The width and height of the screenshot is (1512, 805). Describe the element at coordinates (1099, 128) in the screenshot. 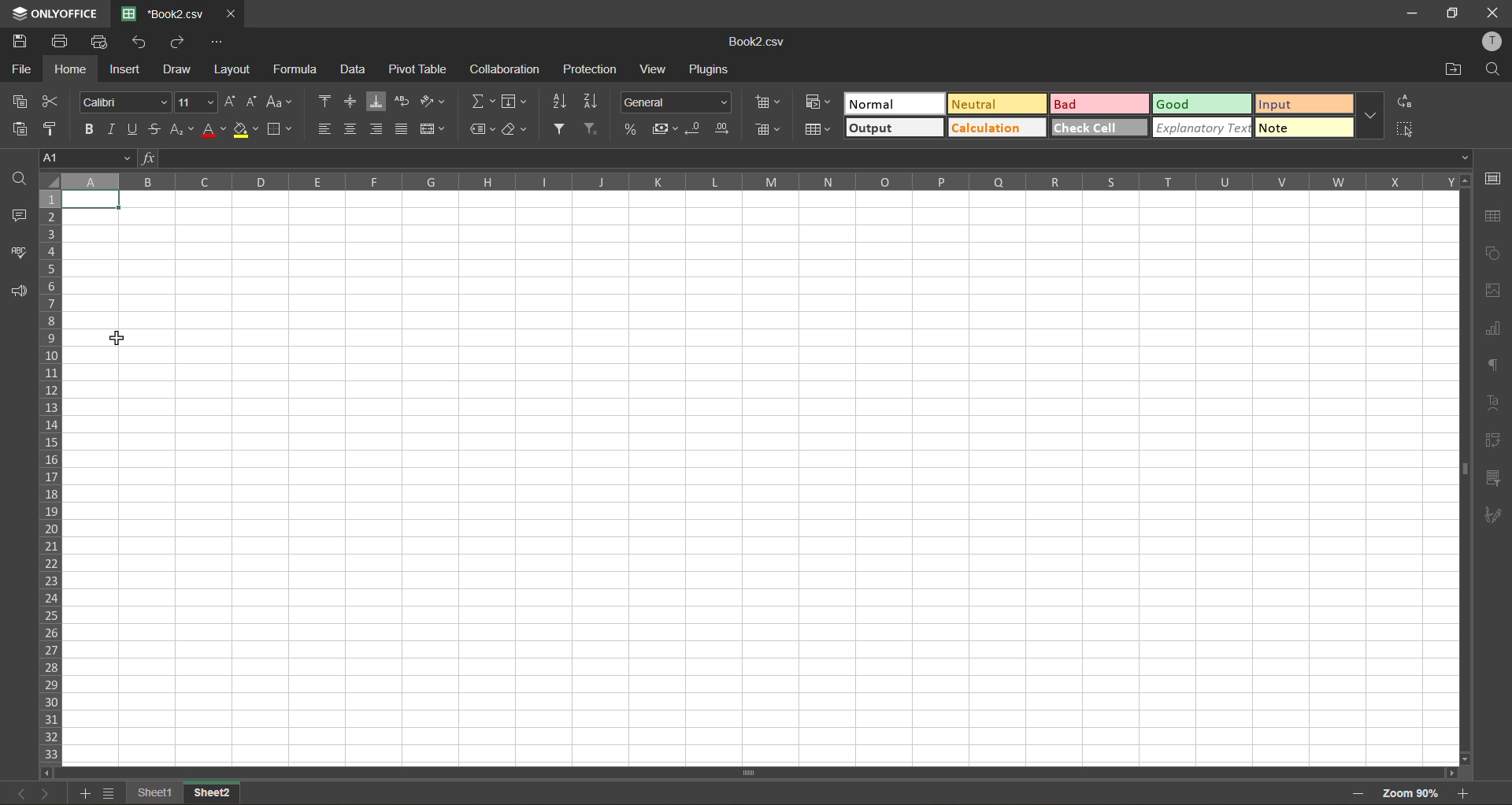

I see `check cell` at that location.